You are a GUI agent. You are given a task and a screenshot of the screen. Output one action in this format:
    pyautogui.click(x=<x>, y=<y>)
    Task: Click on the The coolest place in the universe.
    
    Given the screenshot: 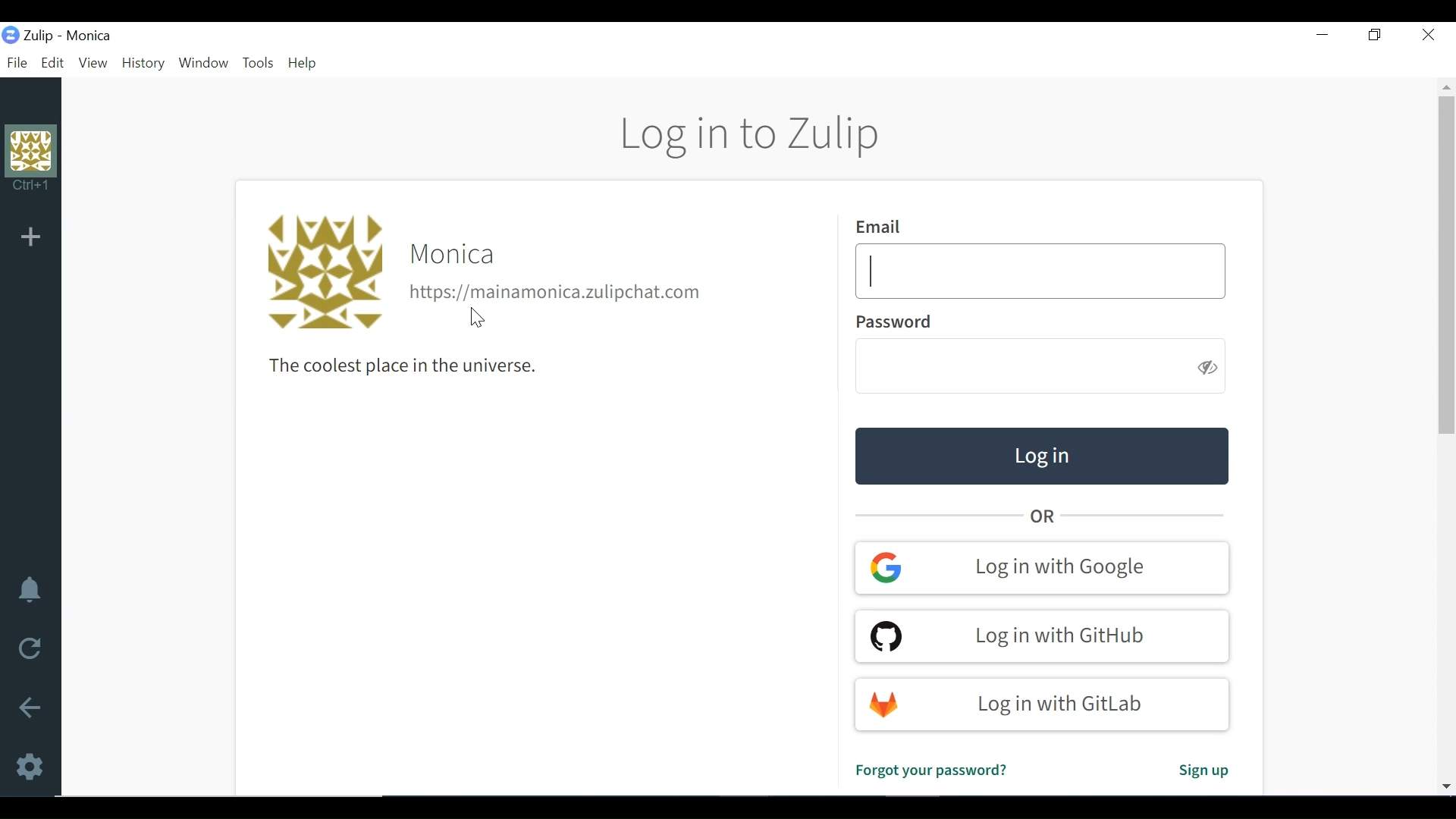 What is the action you would take?
    pyautogui.click(x=394, y=366)
    